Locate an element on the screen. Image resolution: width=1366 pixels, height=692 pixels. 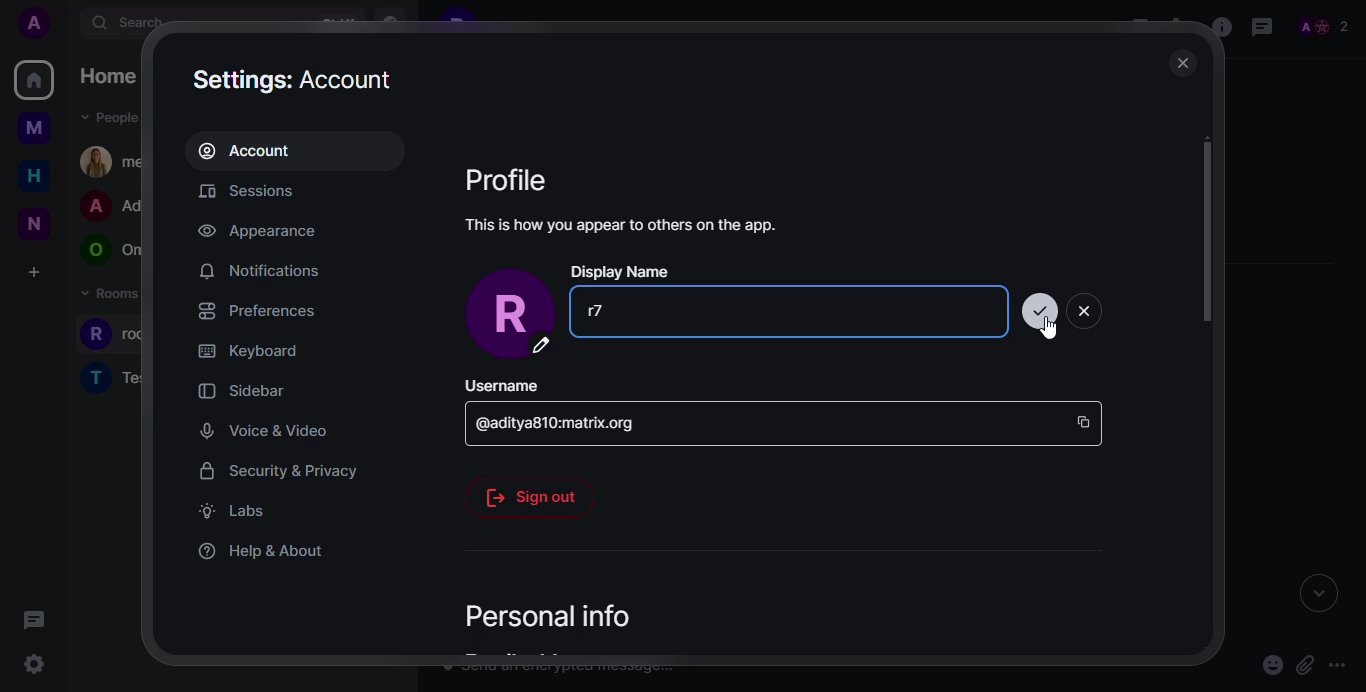
security is located at coordinates (282, 469).